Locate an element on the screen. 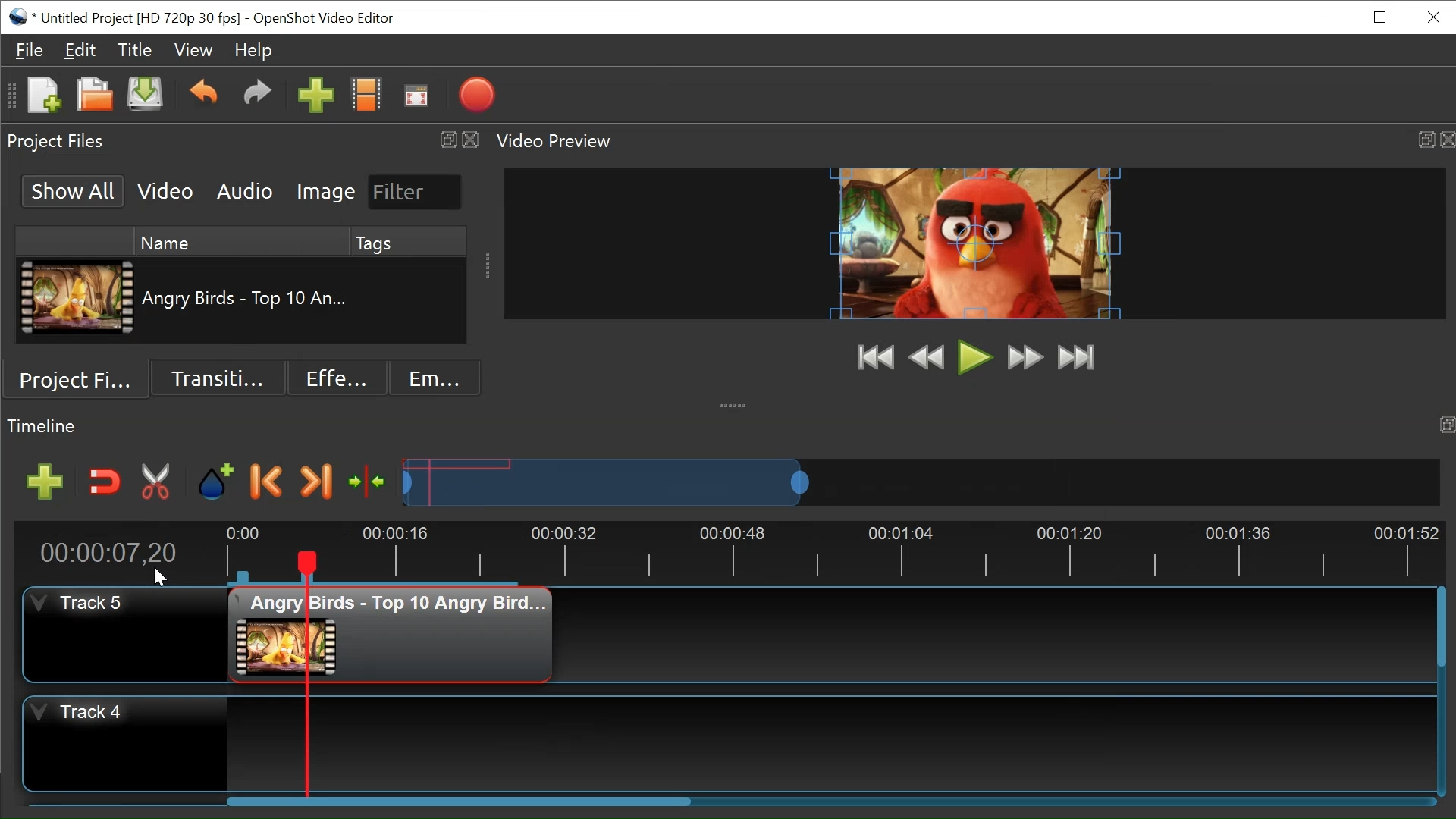 The height and width of the screenshot is (819, 1456). minimize is located at coordinates (1328, 19).